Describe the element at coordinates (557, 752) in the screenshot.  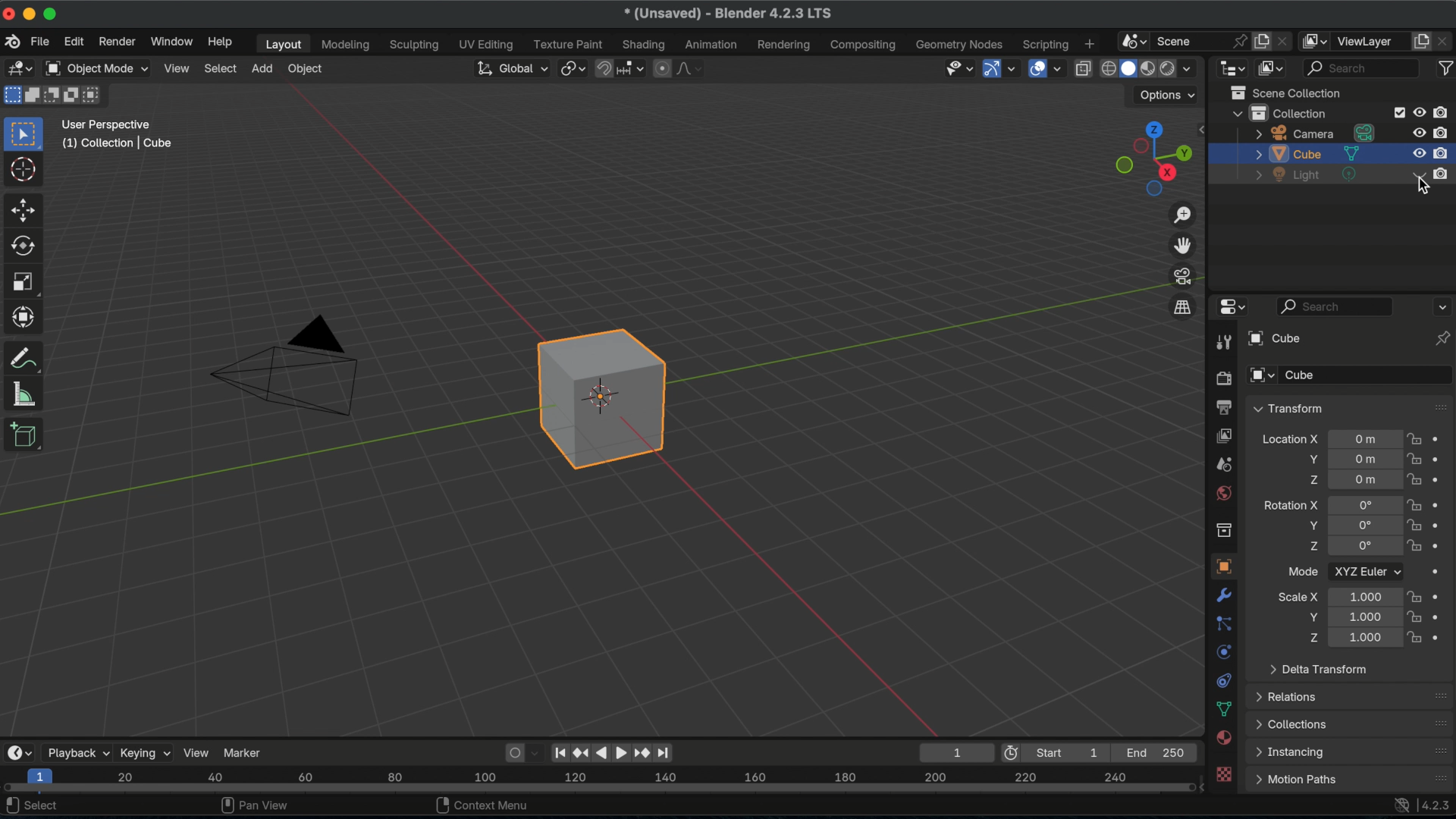
I see `jump to start` at that location.